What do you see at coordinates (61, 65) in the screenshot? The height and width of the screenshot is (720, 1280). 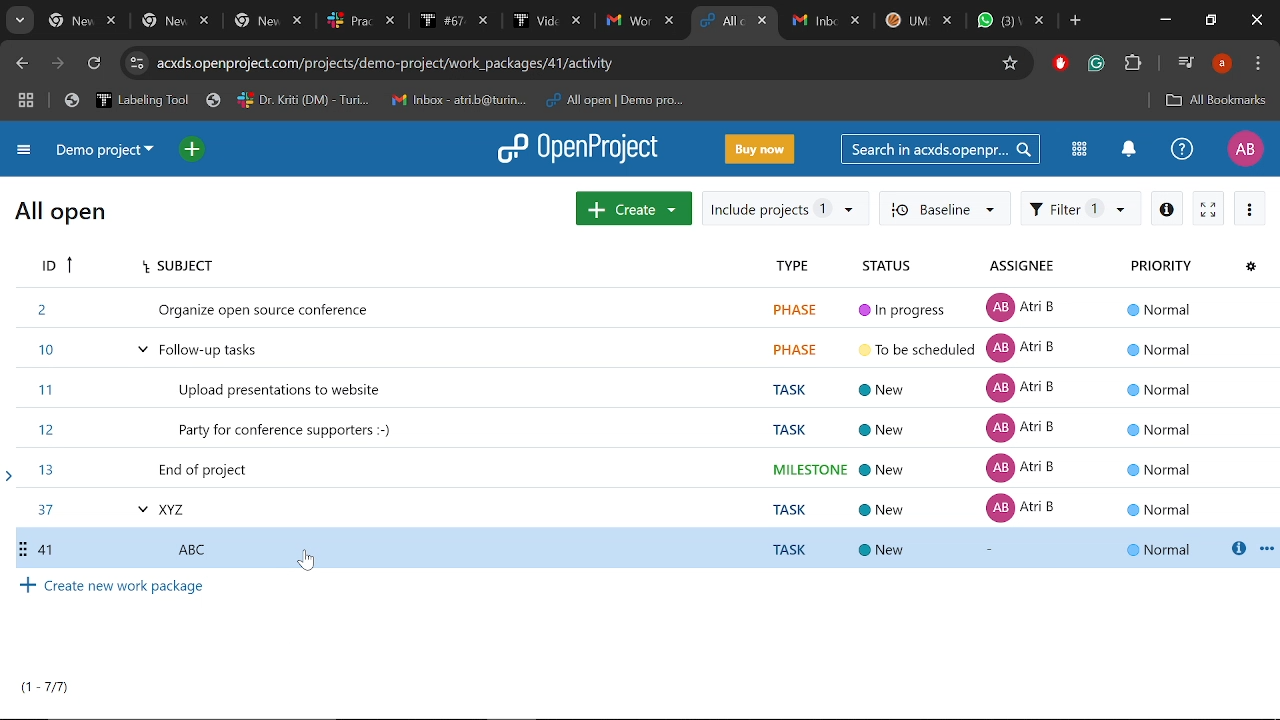 I see `Next page` at bounding box center [61, 65].